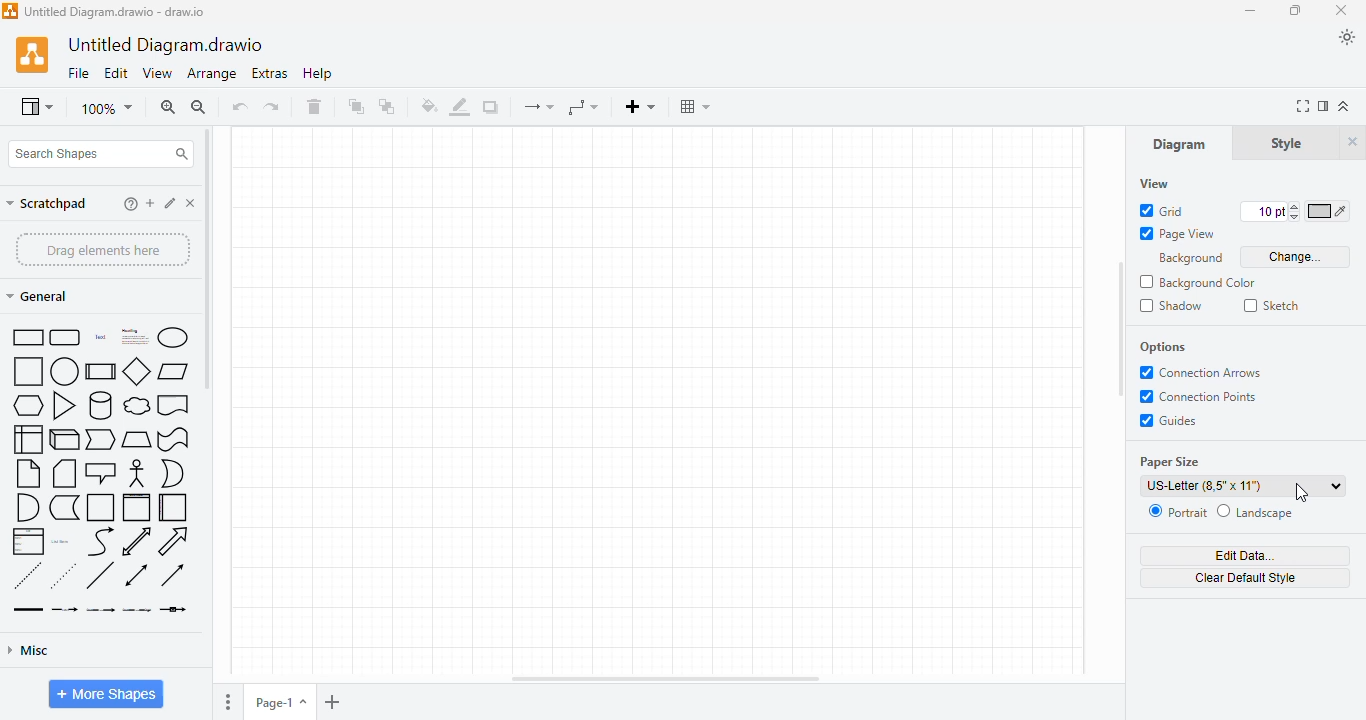 This screenshot has width=1366, height=720. I want to click on page, so click(660, 399).